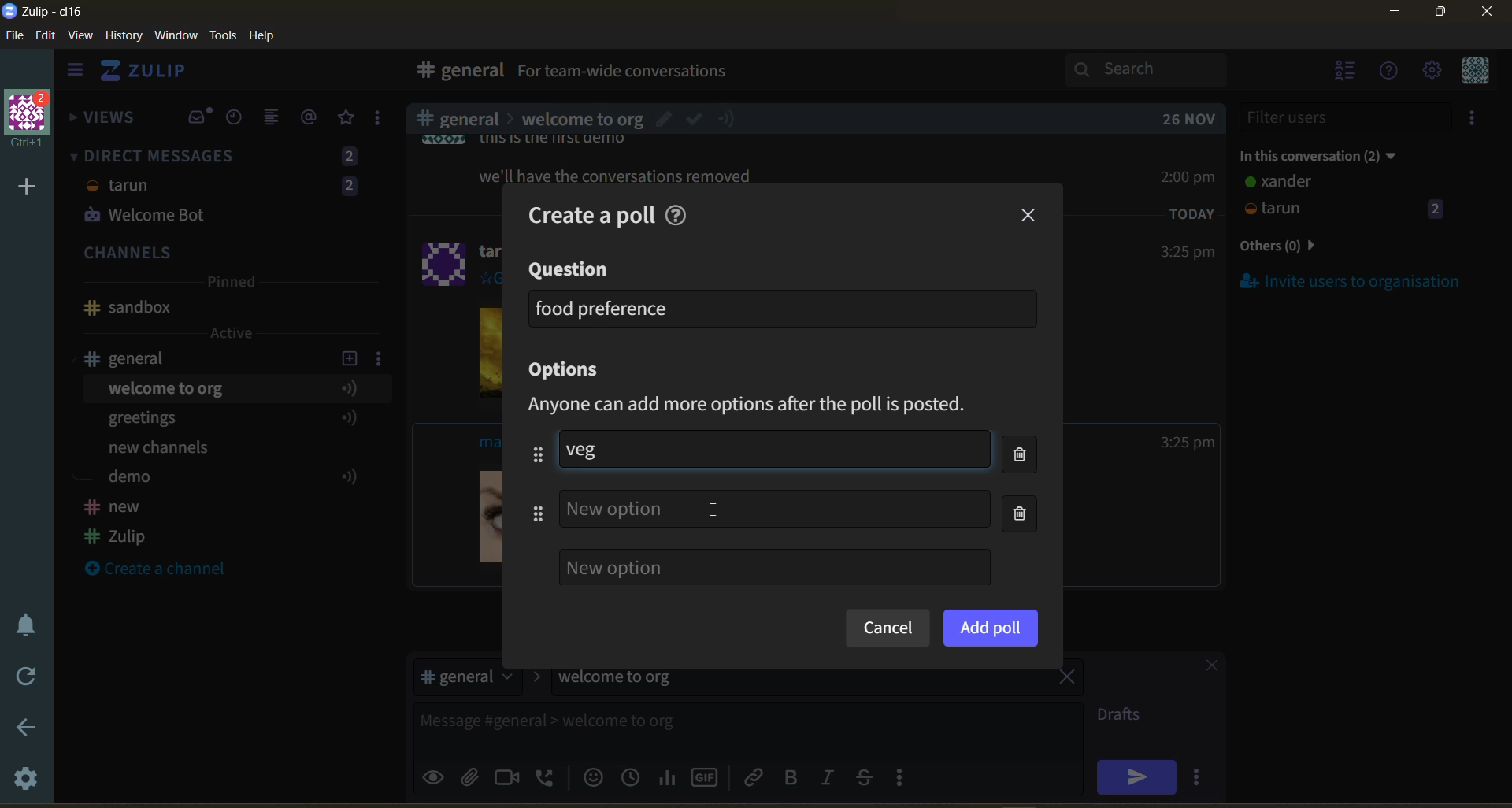  What do you see at coordinates (24, 728) in the screenshot?
I see `go back` at bounding box center [24, 728].